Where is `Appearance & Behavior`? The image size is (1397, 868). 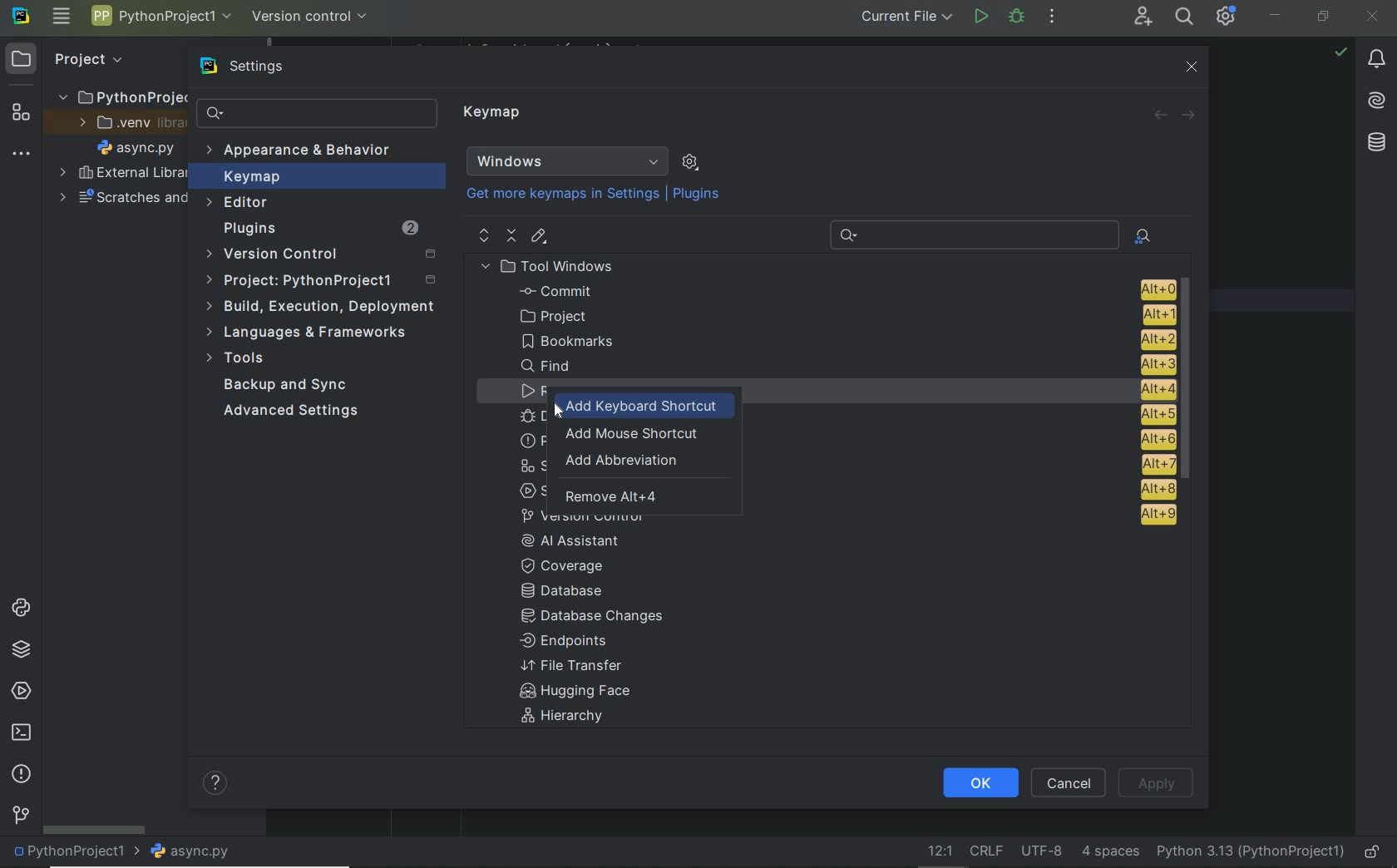 Appearance & Behavior is located at coordinates (301, 151).